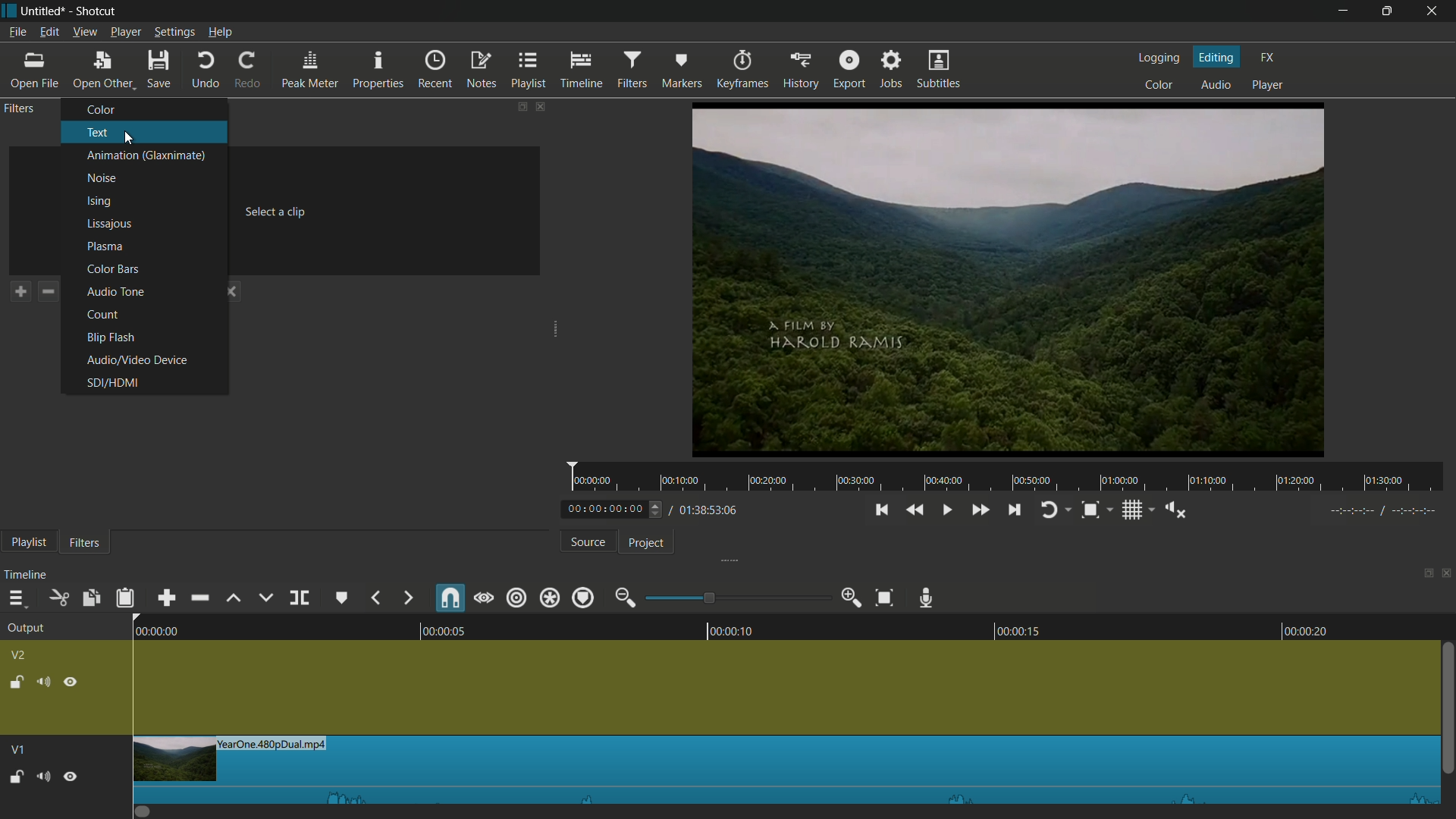 This screenshot has height=819, width=1456. What do you see at coordinates (407, 598) in the screenshot?
I see `forward` at bounding box center [407, 598].